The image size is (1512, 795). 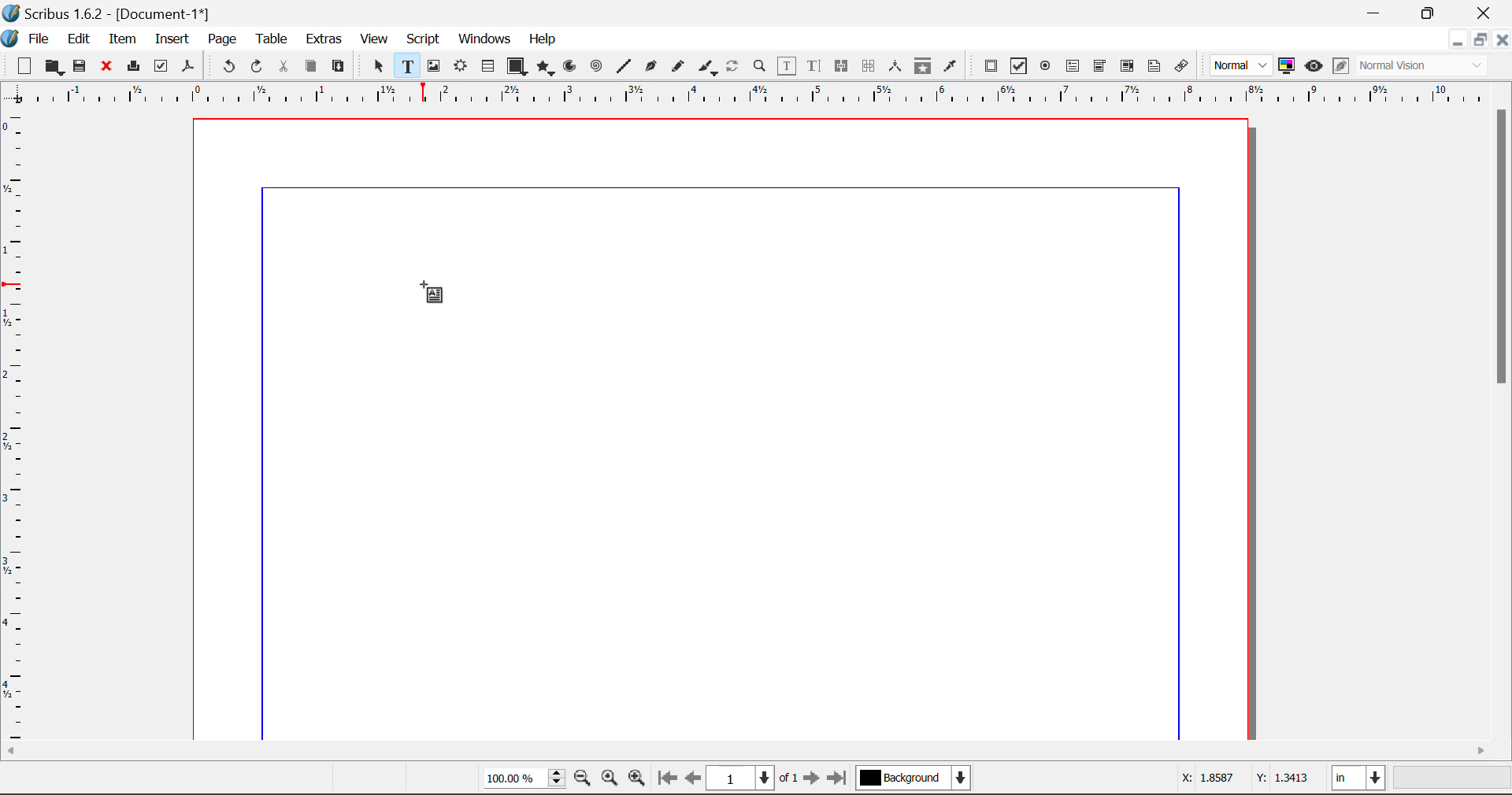 What do you see at coordinates (54, 67) in the screenshot?
I see `Open` at bounding box center [54, 67].